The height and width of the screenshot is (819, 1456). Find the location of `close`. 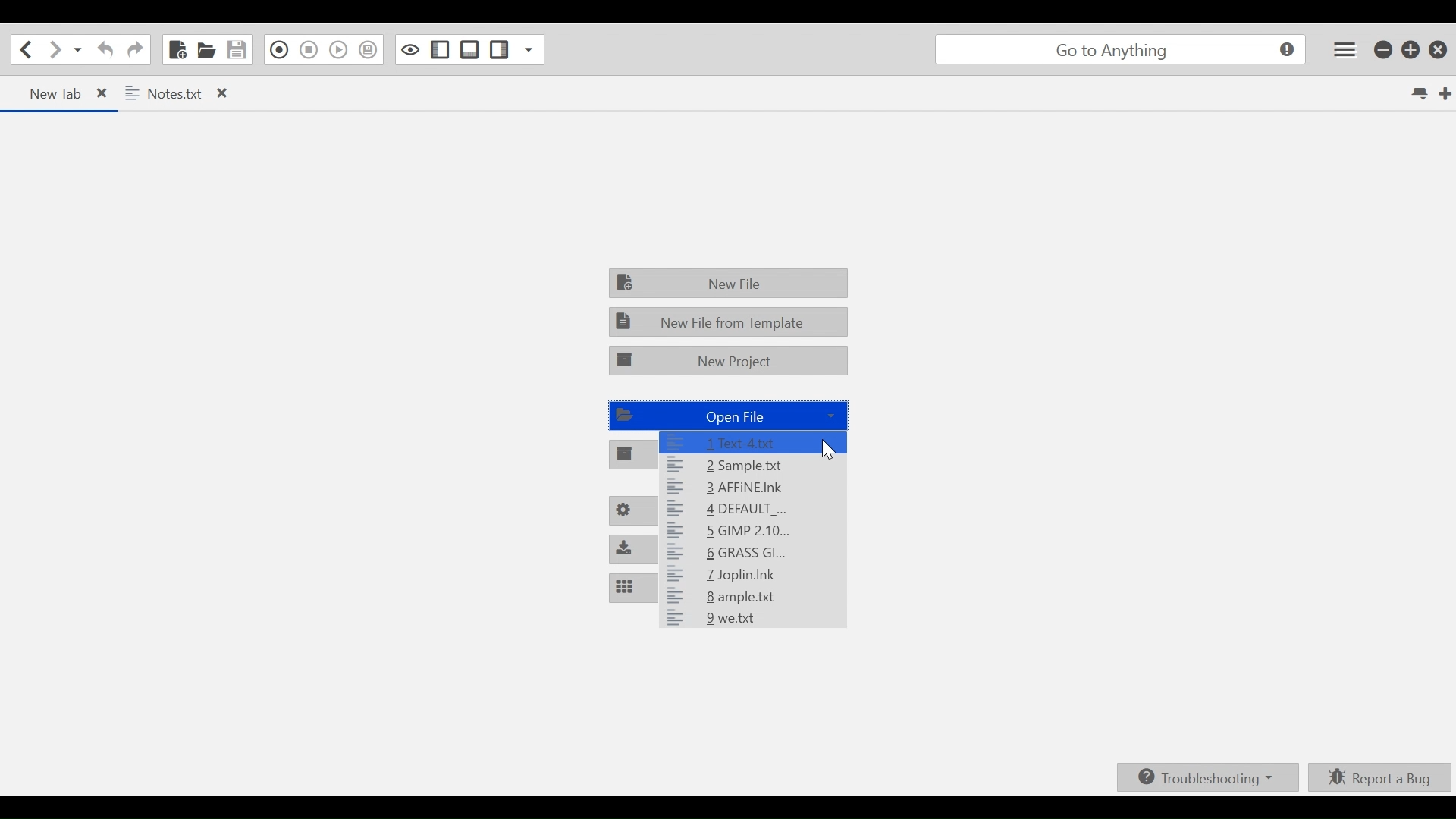

close is located at coordinates (224, 94).